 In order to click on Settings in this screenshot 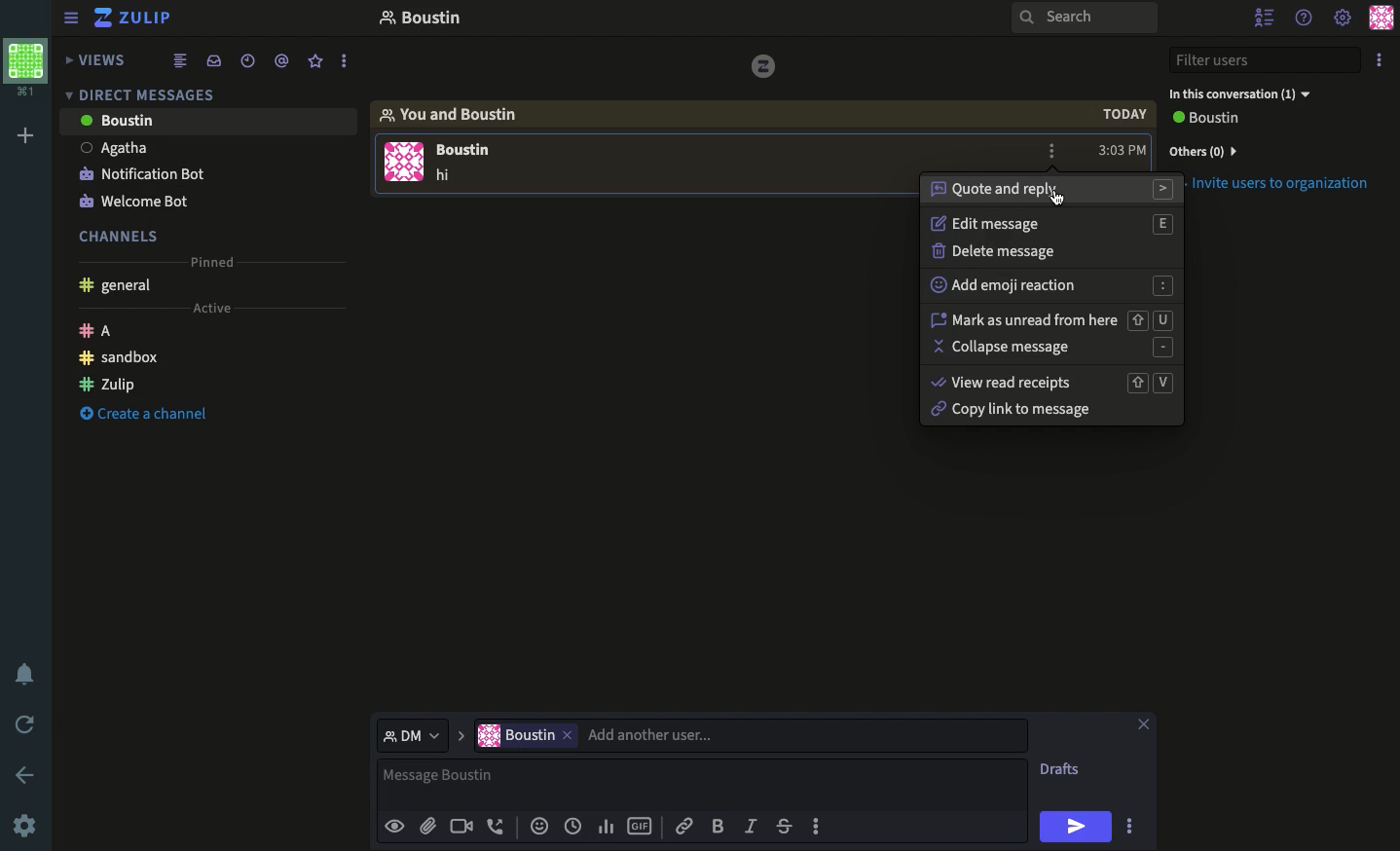, I will do `click(27, 825)`.